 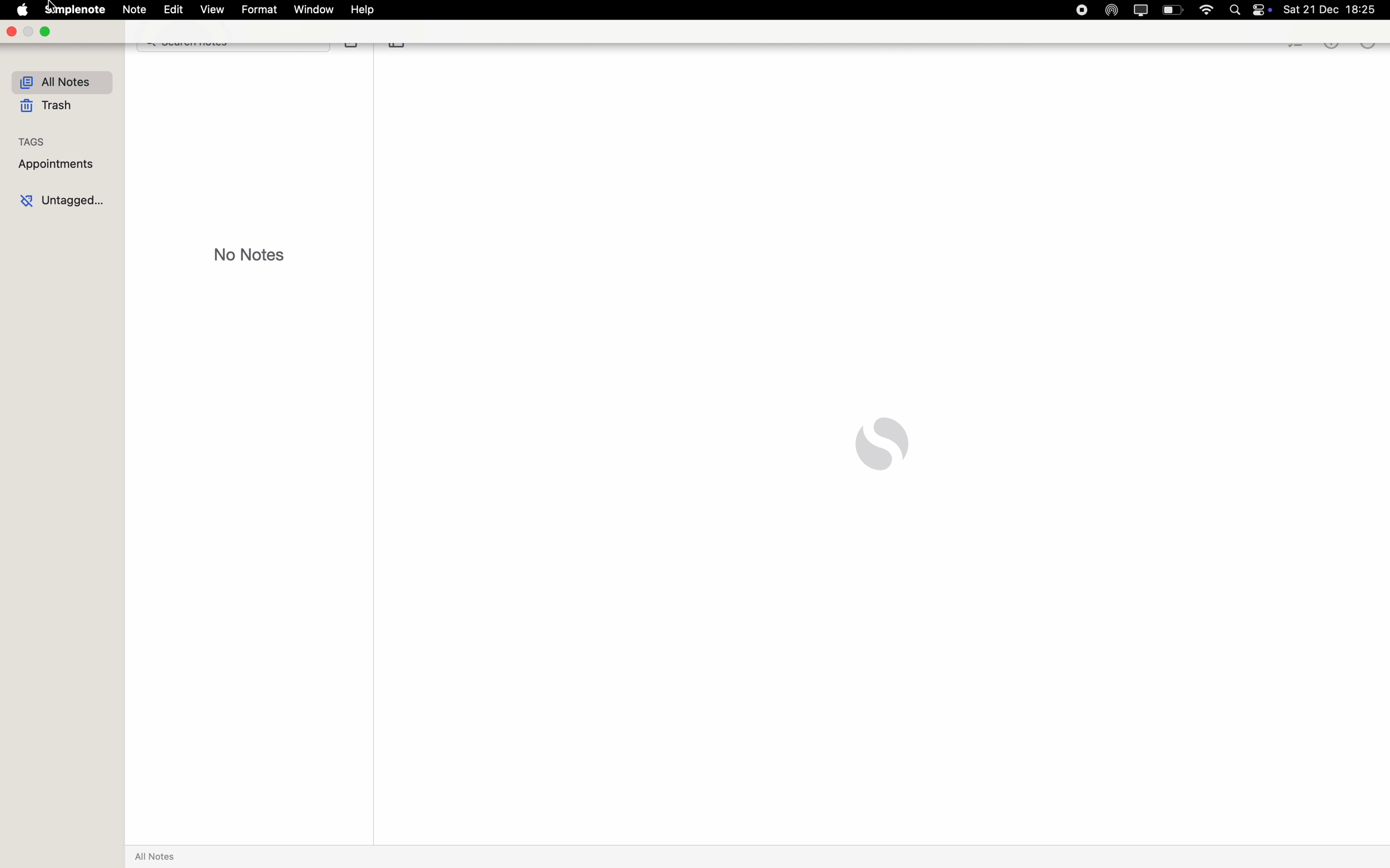 I want to click on date and hour, so click(x=1330, y=9).